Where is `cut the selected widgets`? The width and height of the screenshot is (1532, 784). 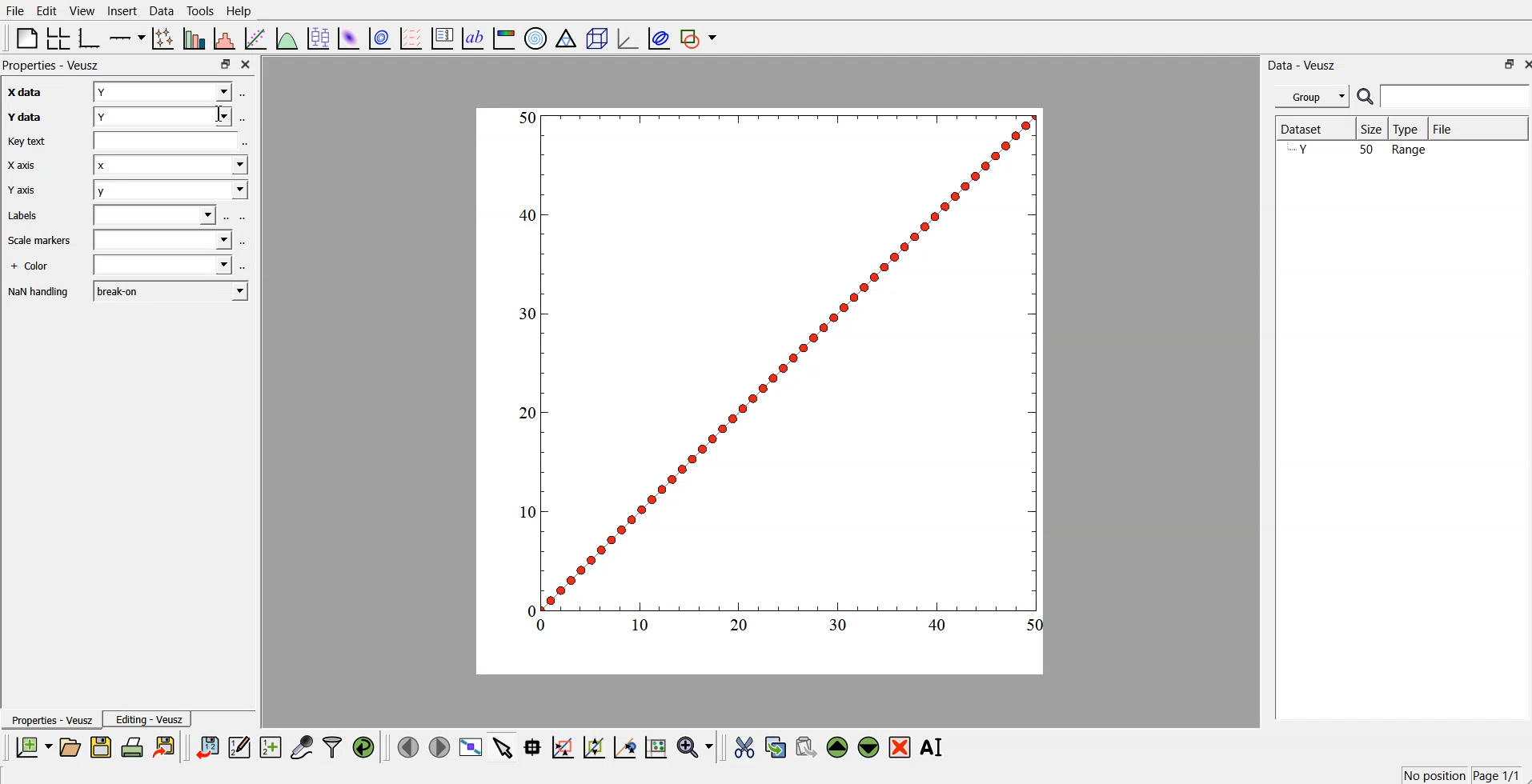
cut the selected widgets is located at coordinates (746, 747).